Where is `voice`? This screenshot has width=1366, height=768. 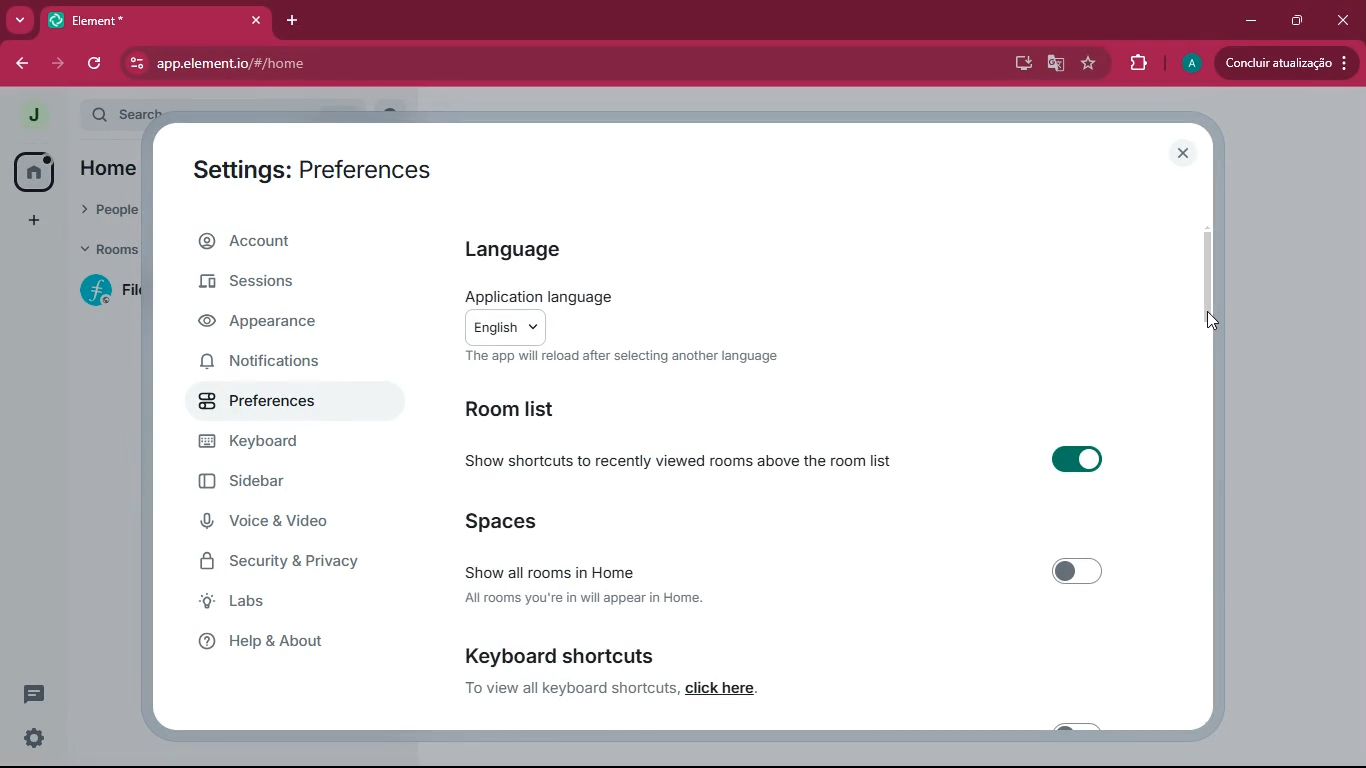 voice is located at coordinates (277, 523).